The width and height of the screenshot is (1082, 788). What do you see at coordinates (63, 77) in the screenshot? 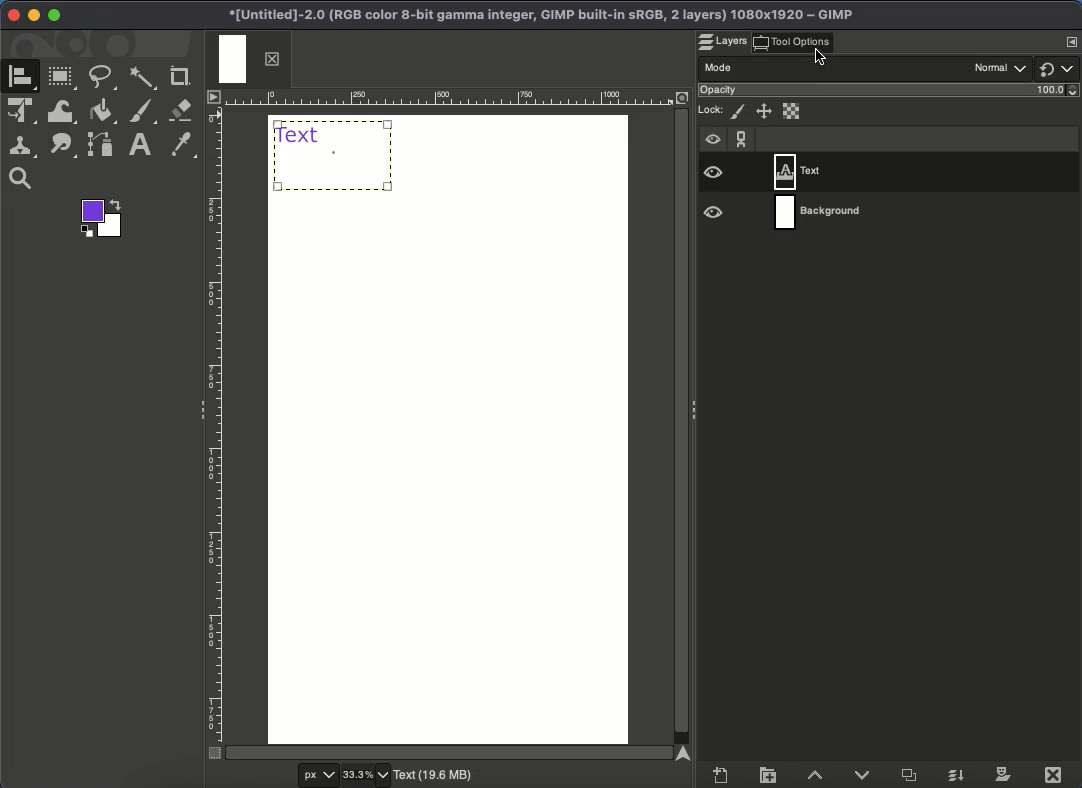
I see `Rectangular tool` at bounding box center [63, 77].